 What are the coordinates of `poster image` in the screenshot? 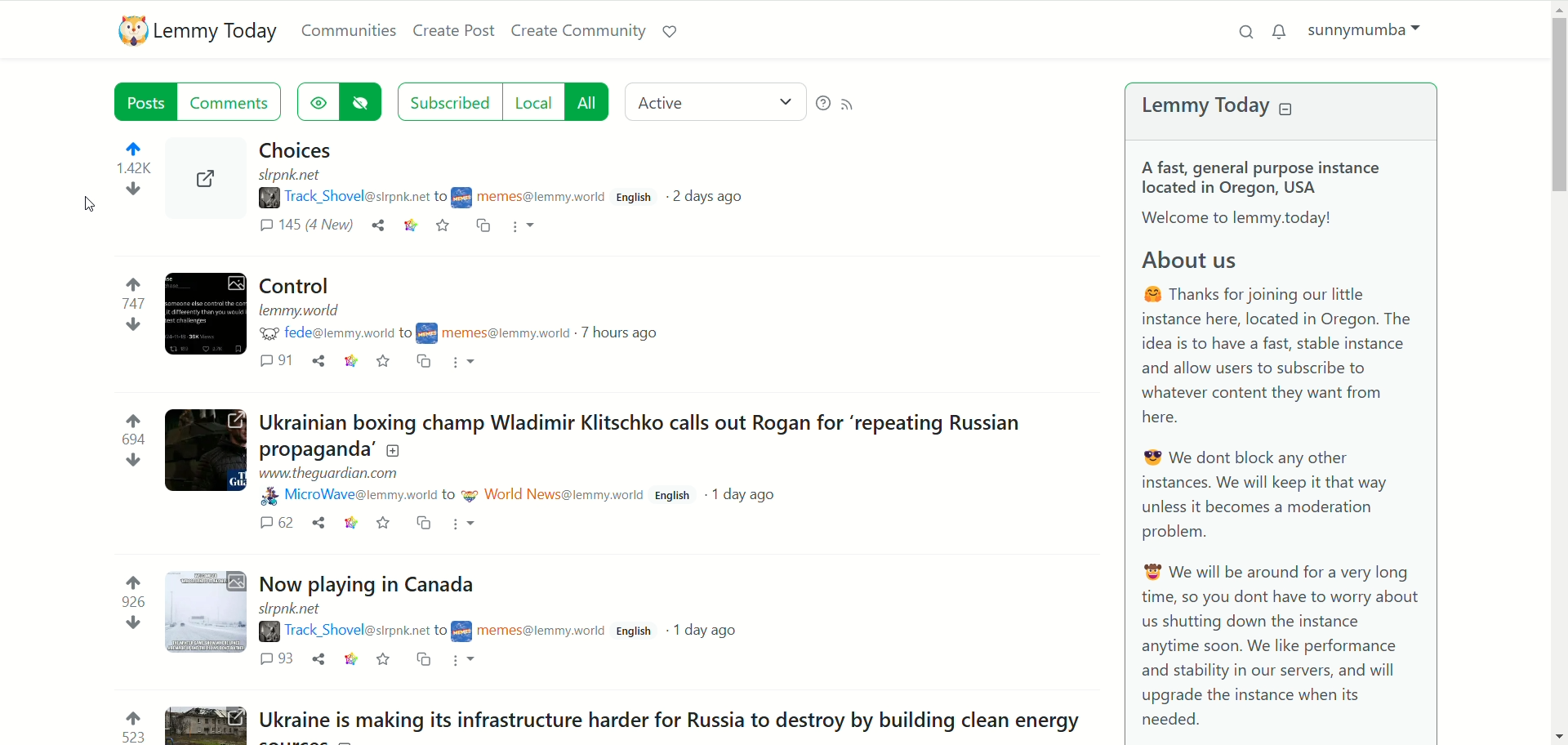 It's located at (430, 333).